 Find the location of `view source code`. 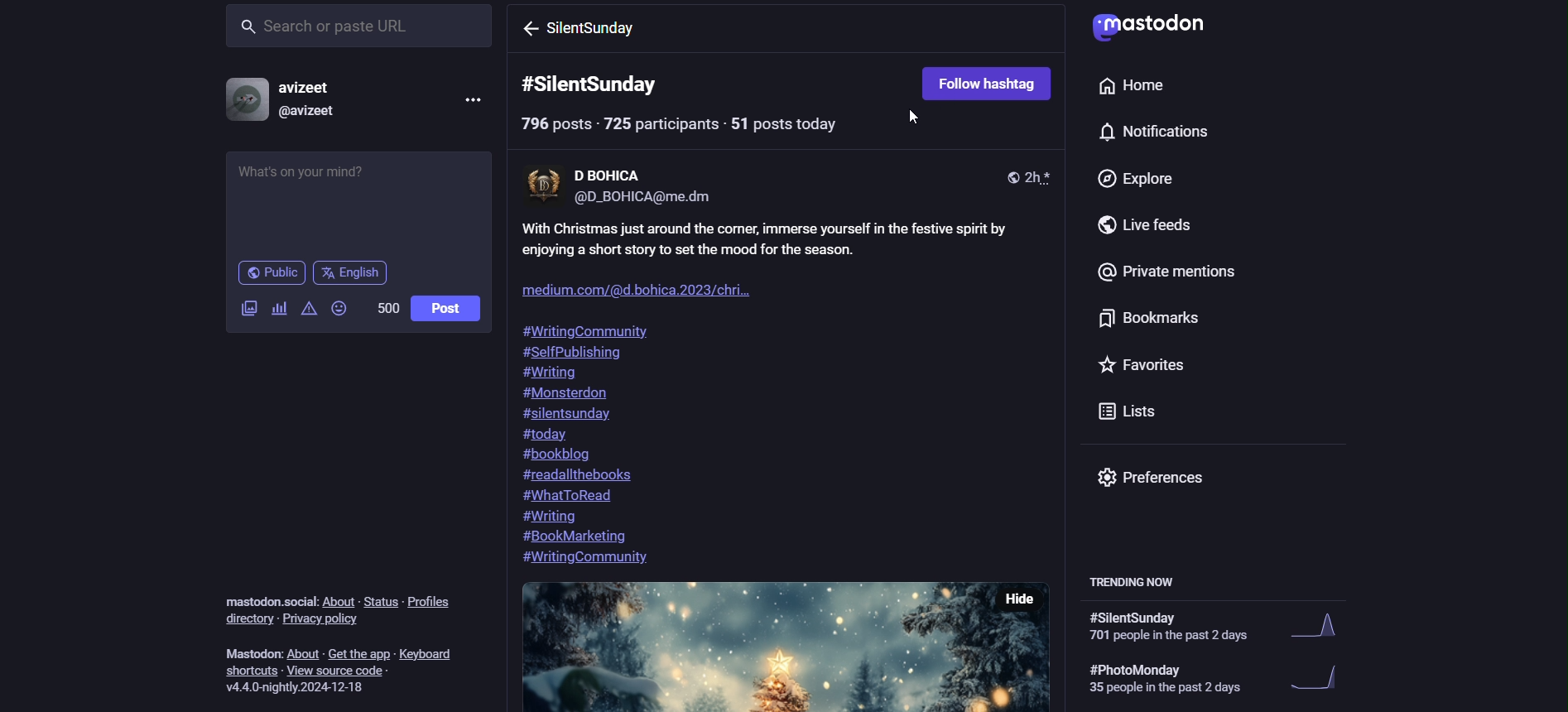

view source code is located at coordinates (349, 671).